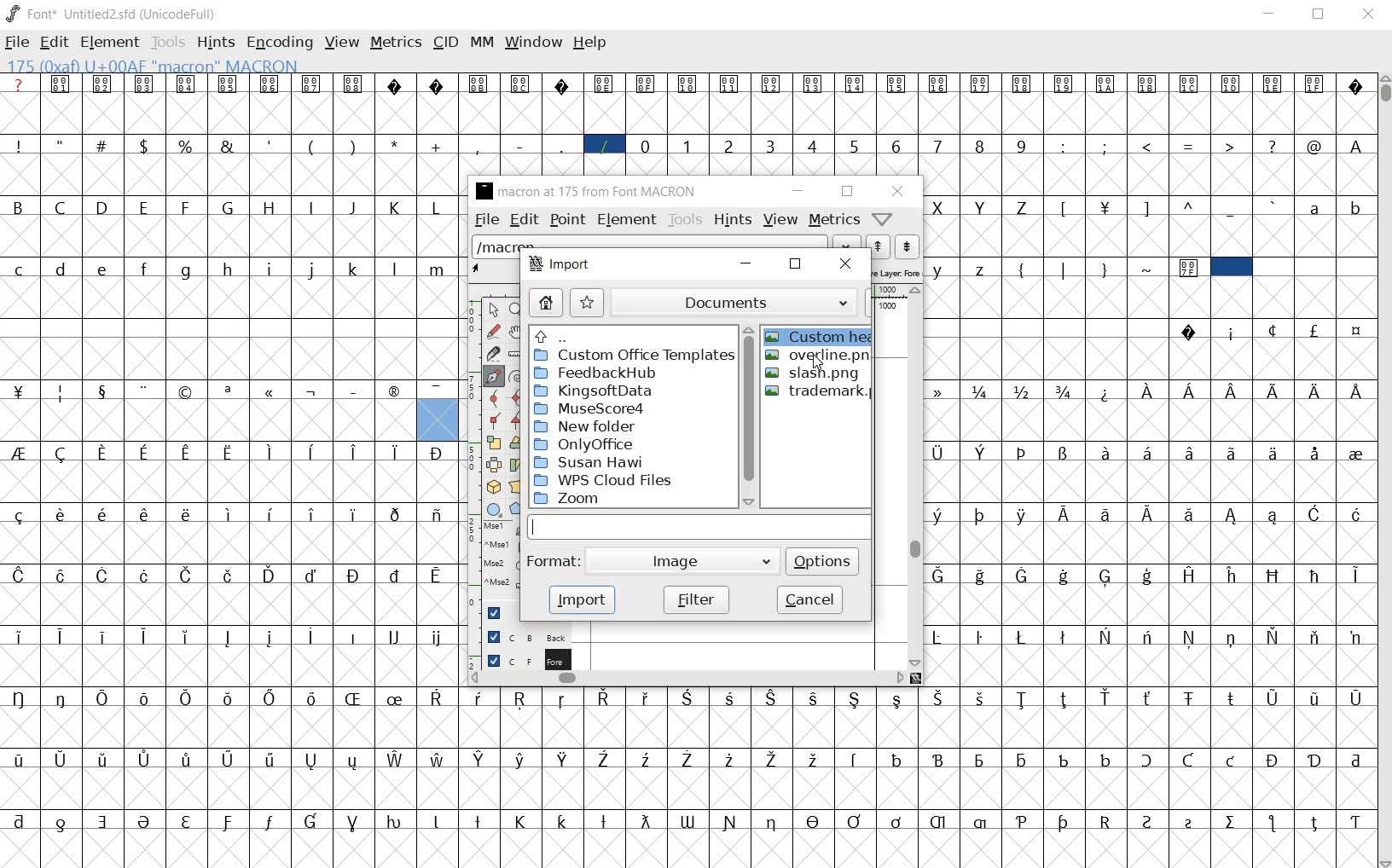  Describe the element at coordinates (189, 698) in the screenshot. I see `Symbol` at that location.